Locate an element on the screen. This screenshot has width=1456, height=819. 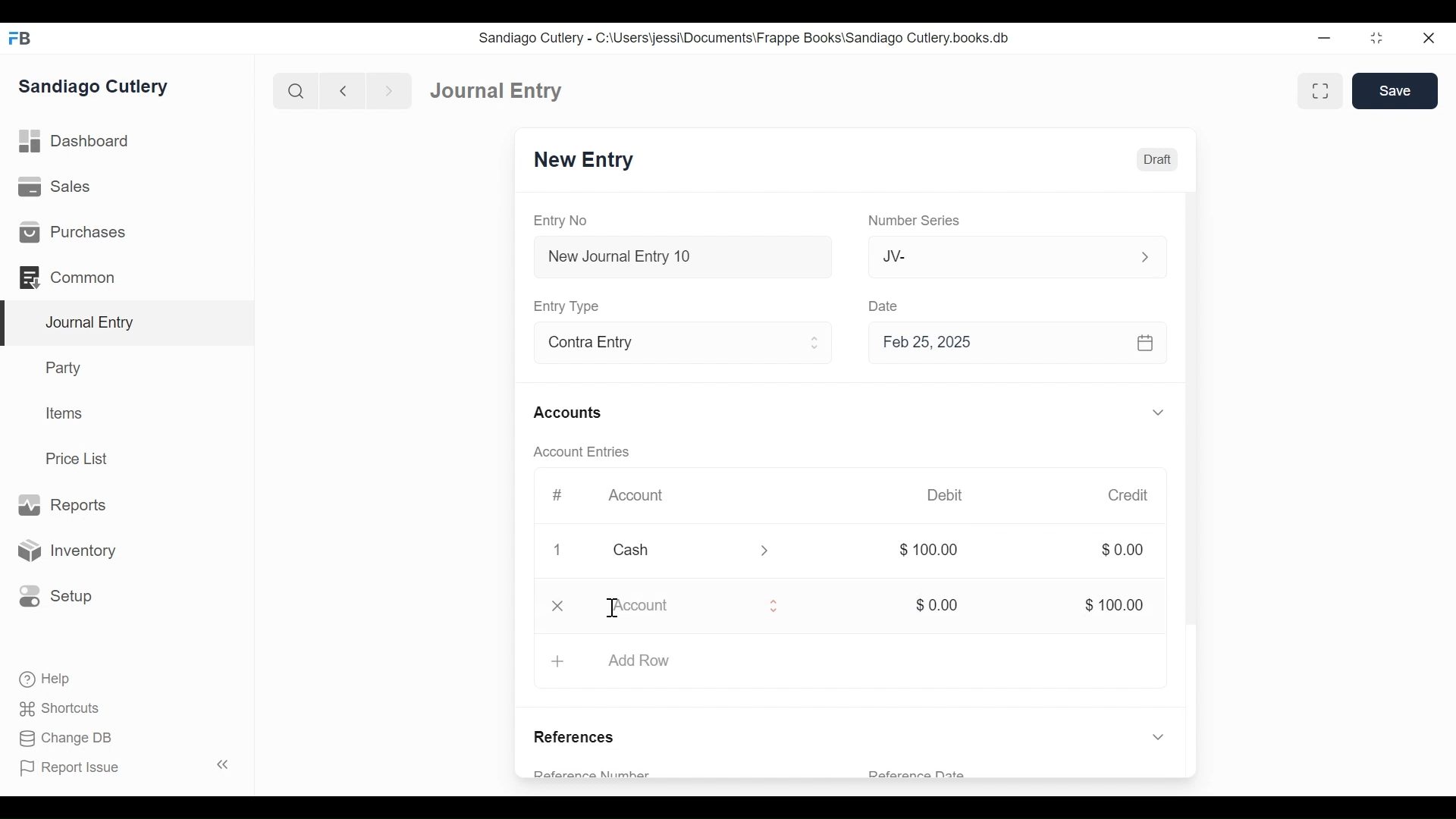
Expand is located at coordinates (774, 605).